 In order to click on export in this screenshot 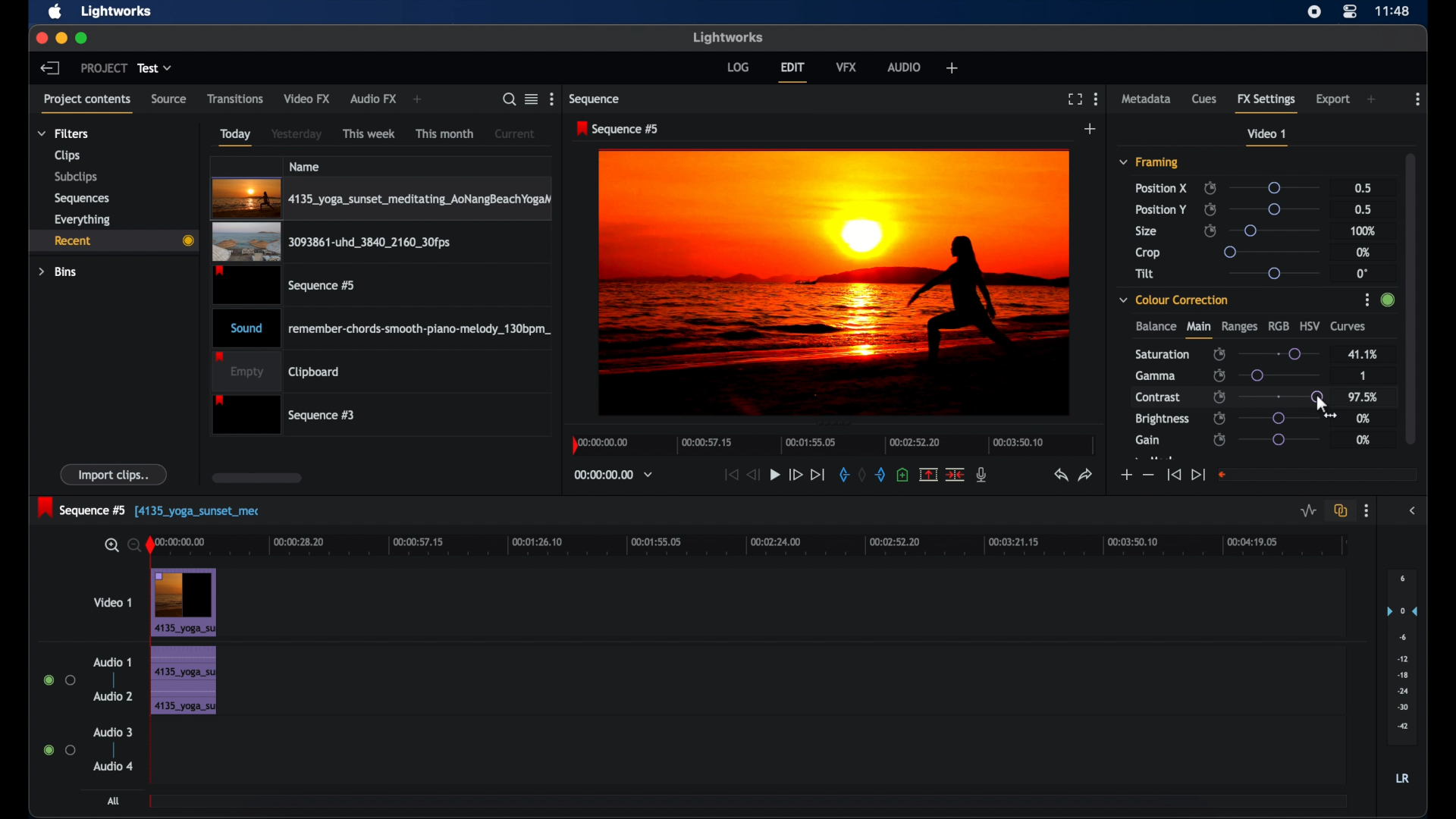, I will do `click(1333, 99)`.